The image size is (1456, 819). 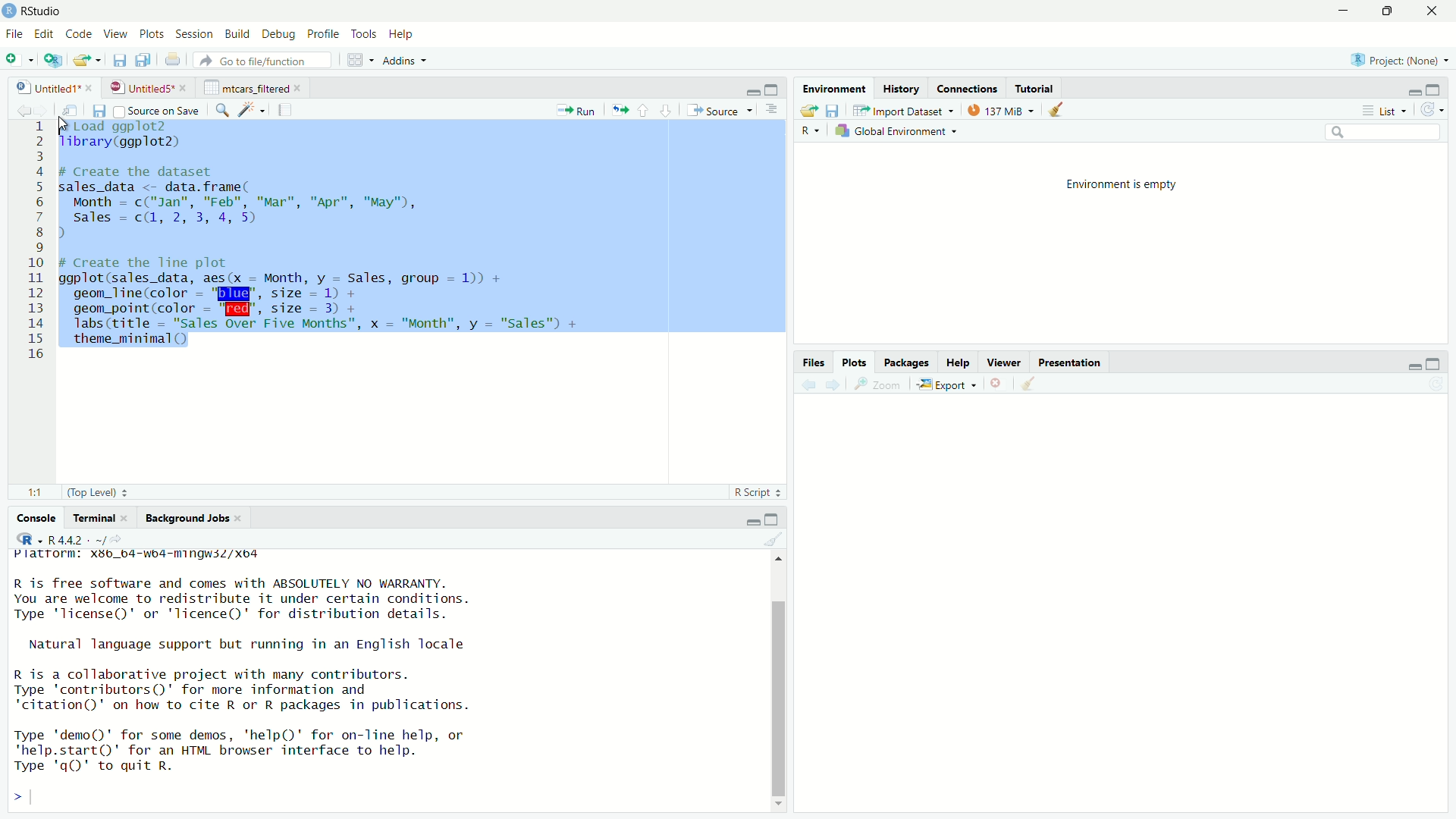 I want to click on close, so click(x=130, y=518).